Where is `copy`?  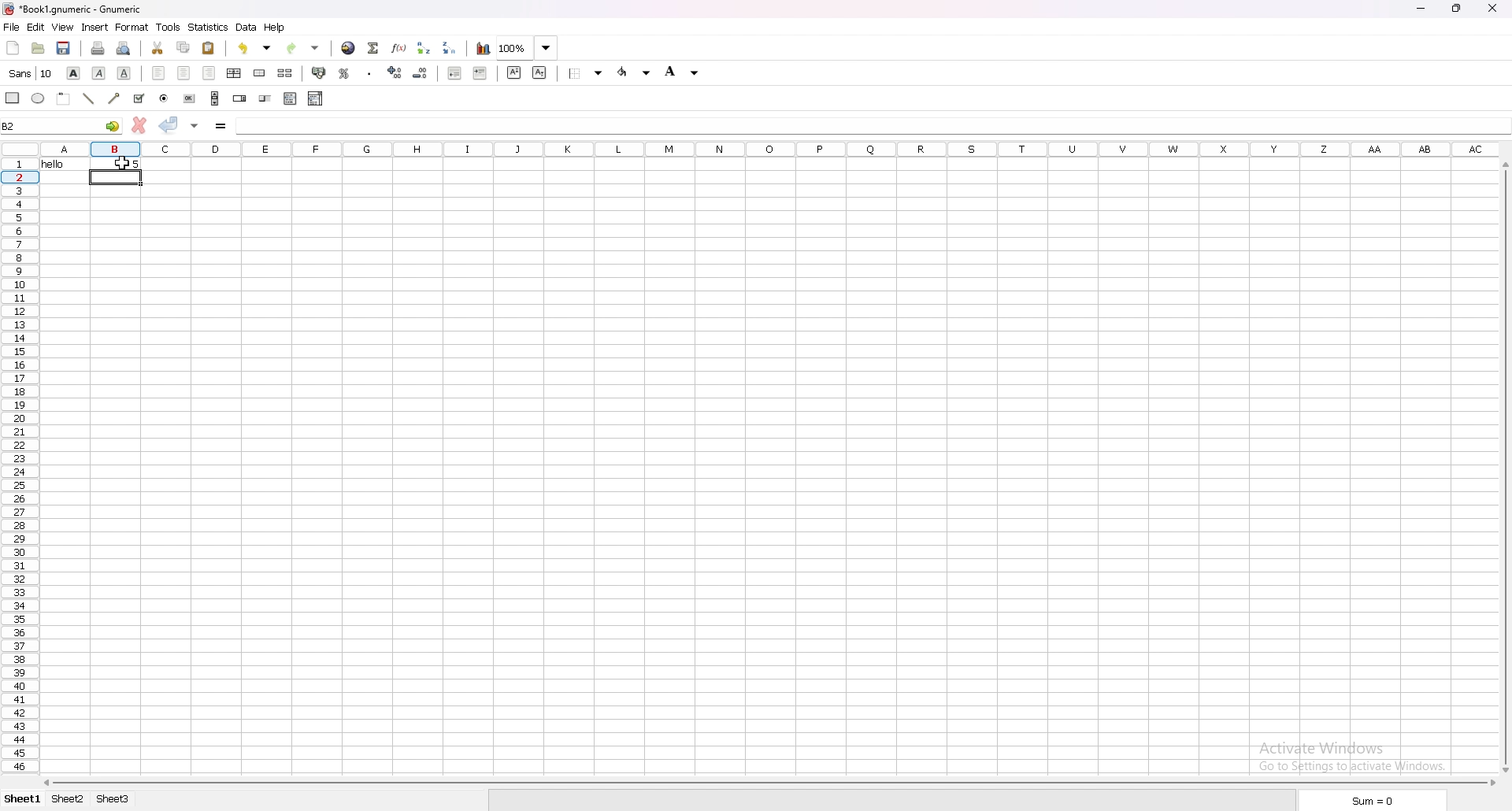
copy is located at coordinates (183, 46).